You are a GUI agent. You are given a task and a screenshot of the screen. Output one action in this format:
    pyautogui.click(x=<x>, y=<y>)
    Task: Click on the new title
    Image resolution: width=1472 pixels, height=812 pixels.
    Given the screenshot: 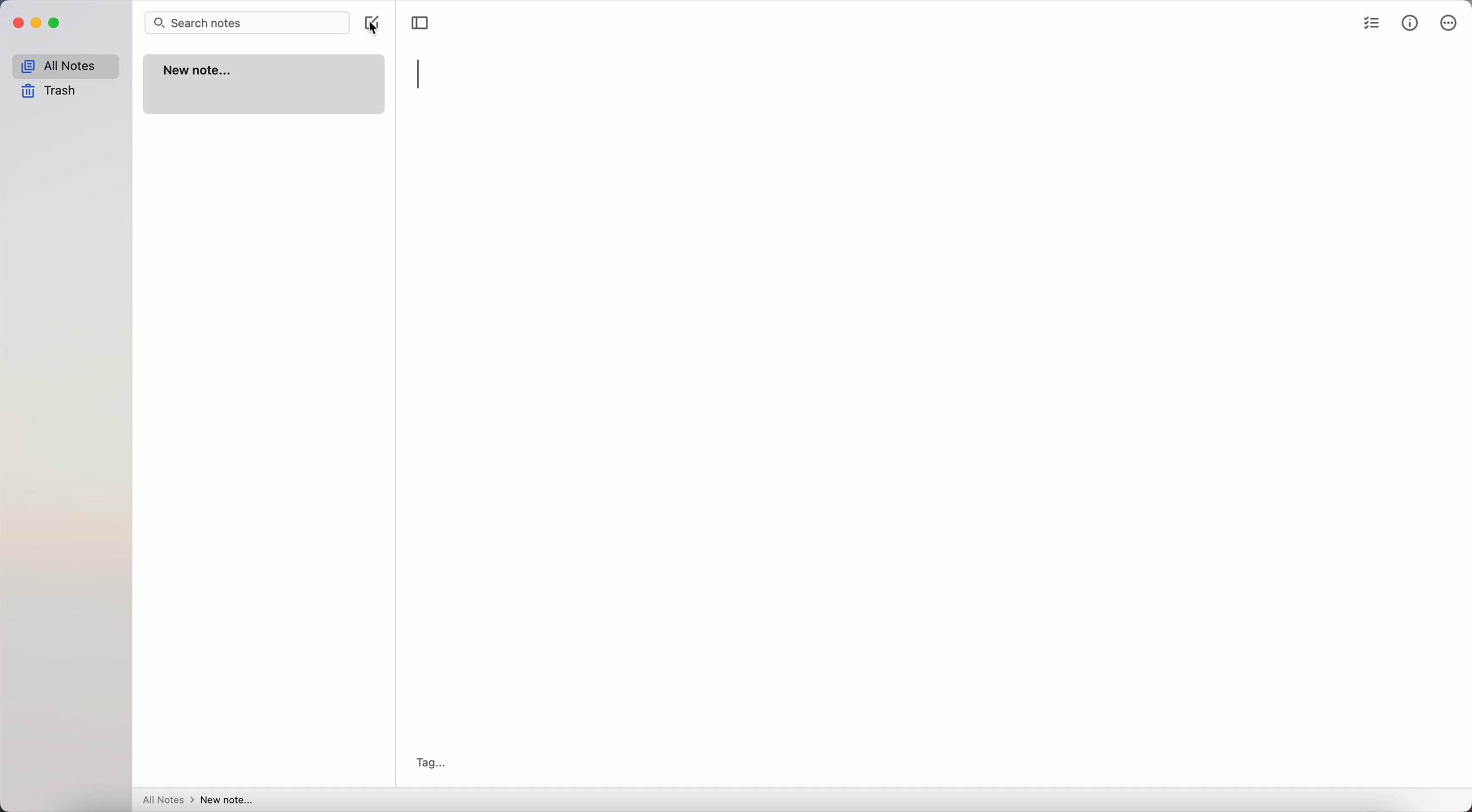 What is the action you would take?
    pyautogui.click(x=227, y=801)
    